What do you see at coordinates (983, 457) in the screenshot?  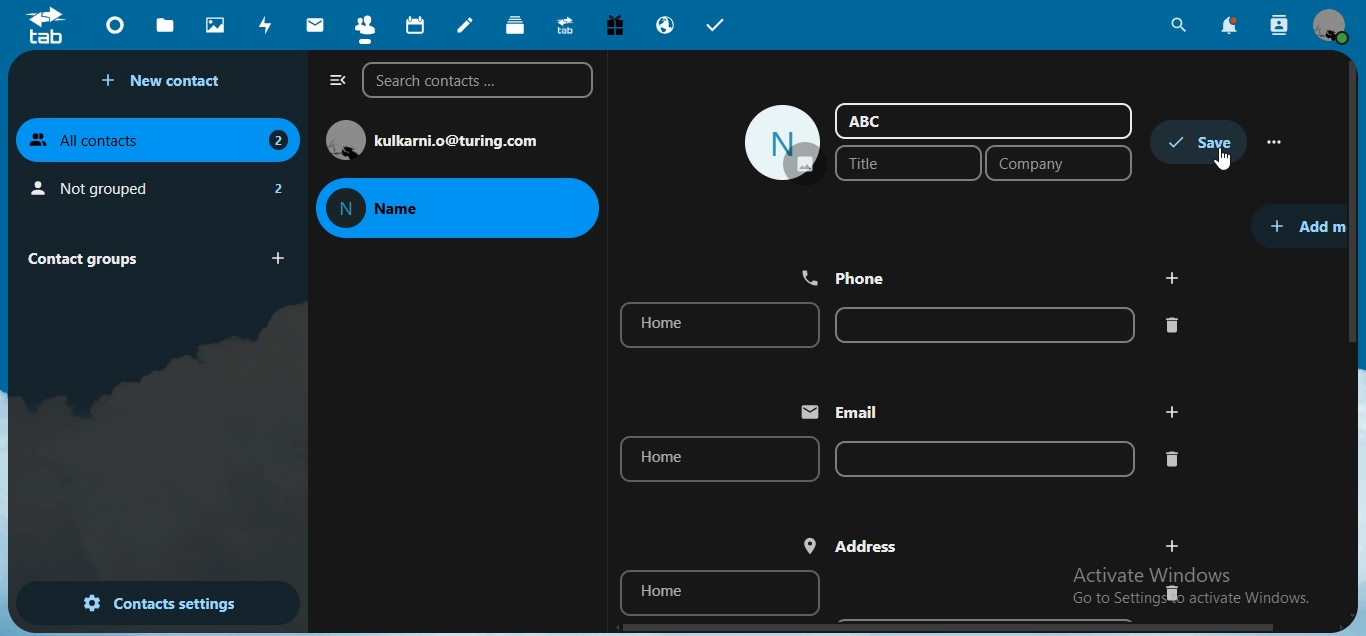 I see `` at bounding box center [983, 457].